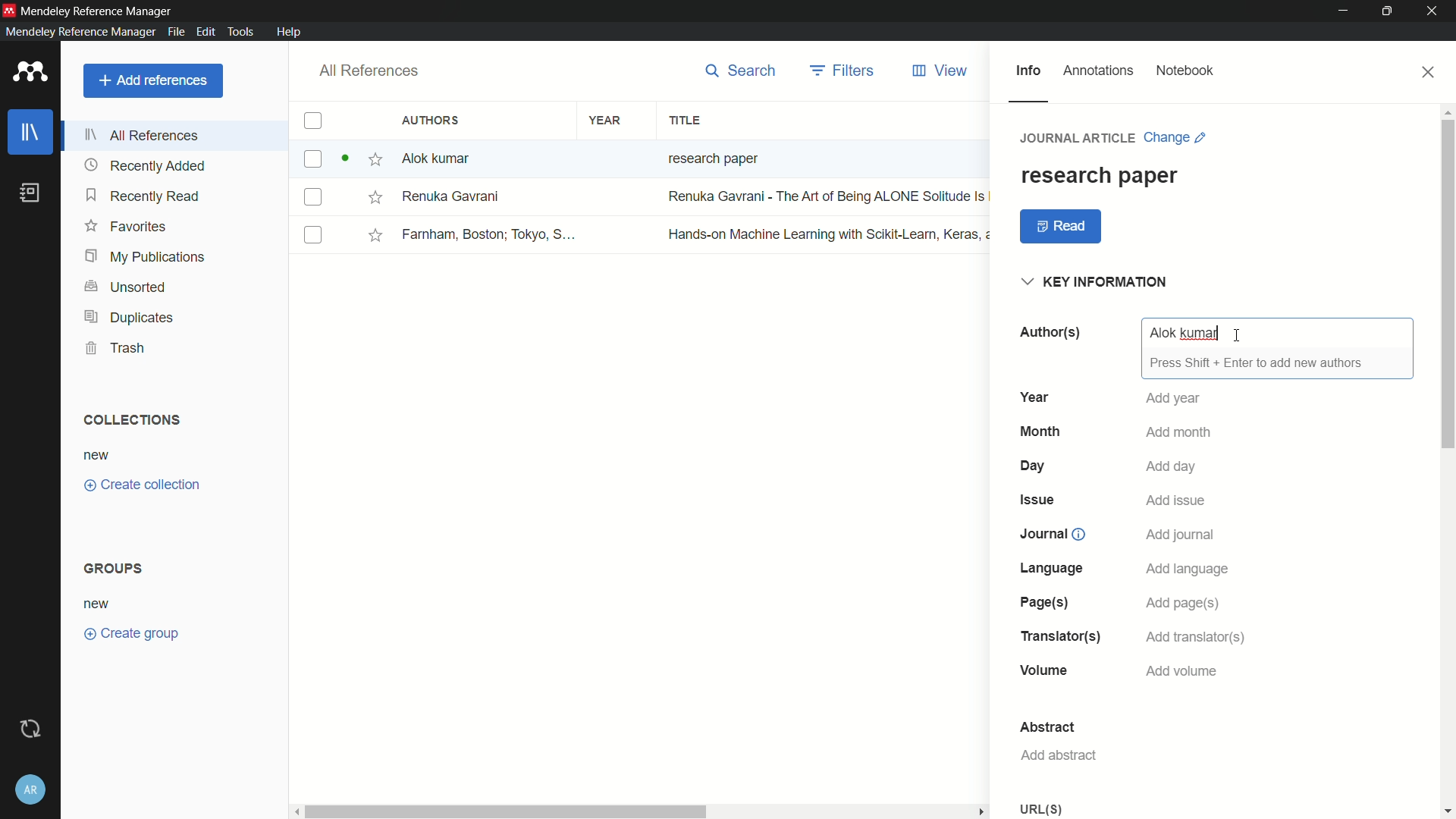  I want to click on add issue, so click(1179, 499).